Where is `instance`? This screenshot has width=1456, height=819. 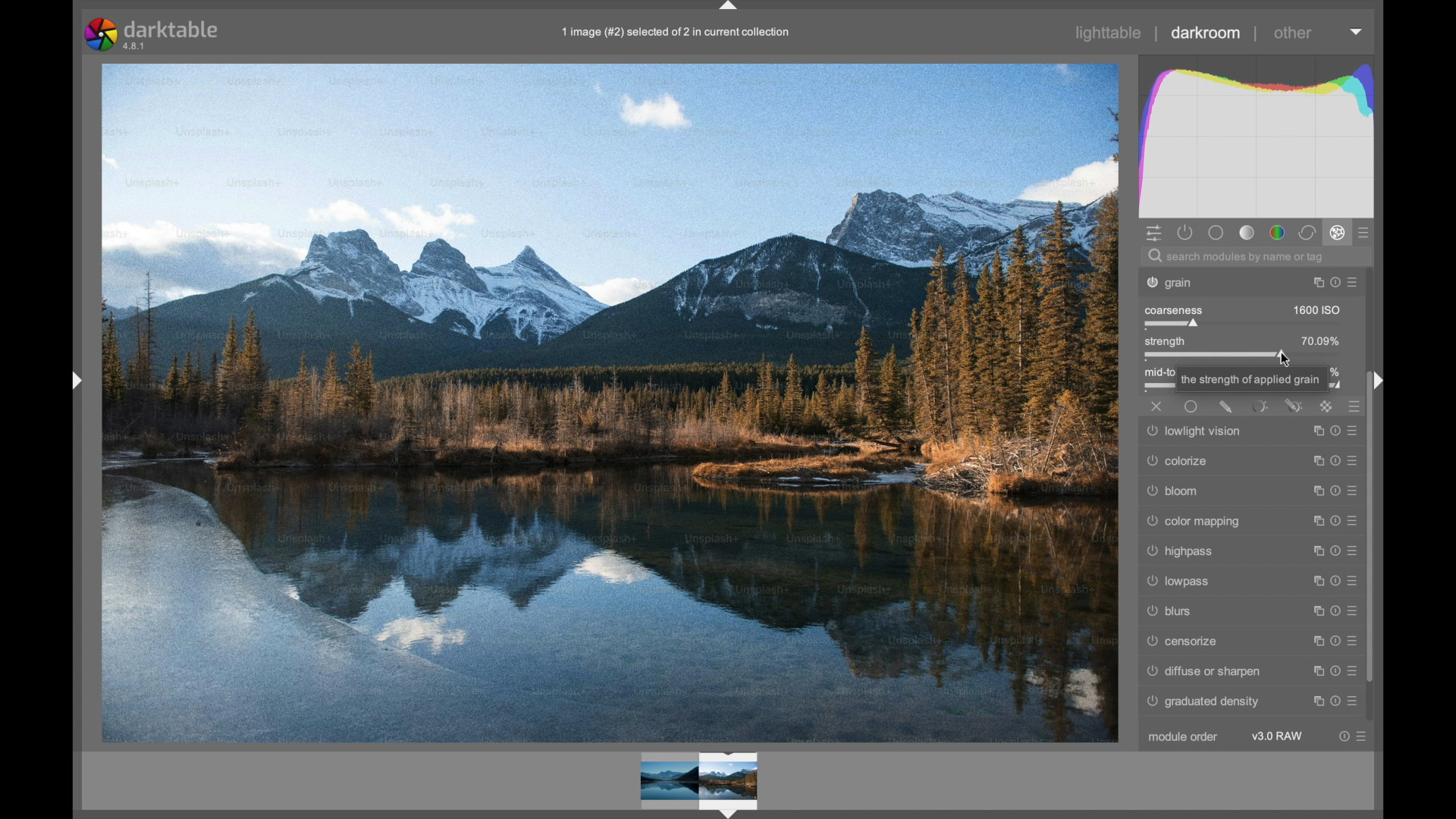 instance is located at coordinates (1313, 520).